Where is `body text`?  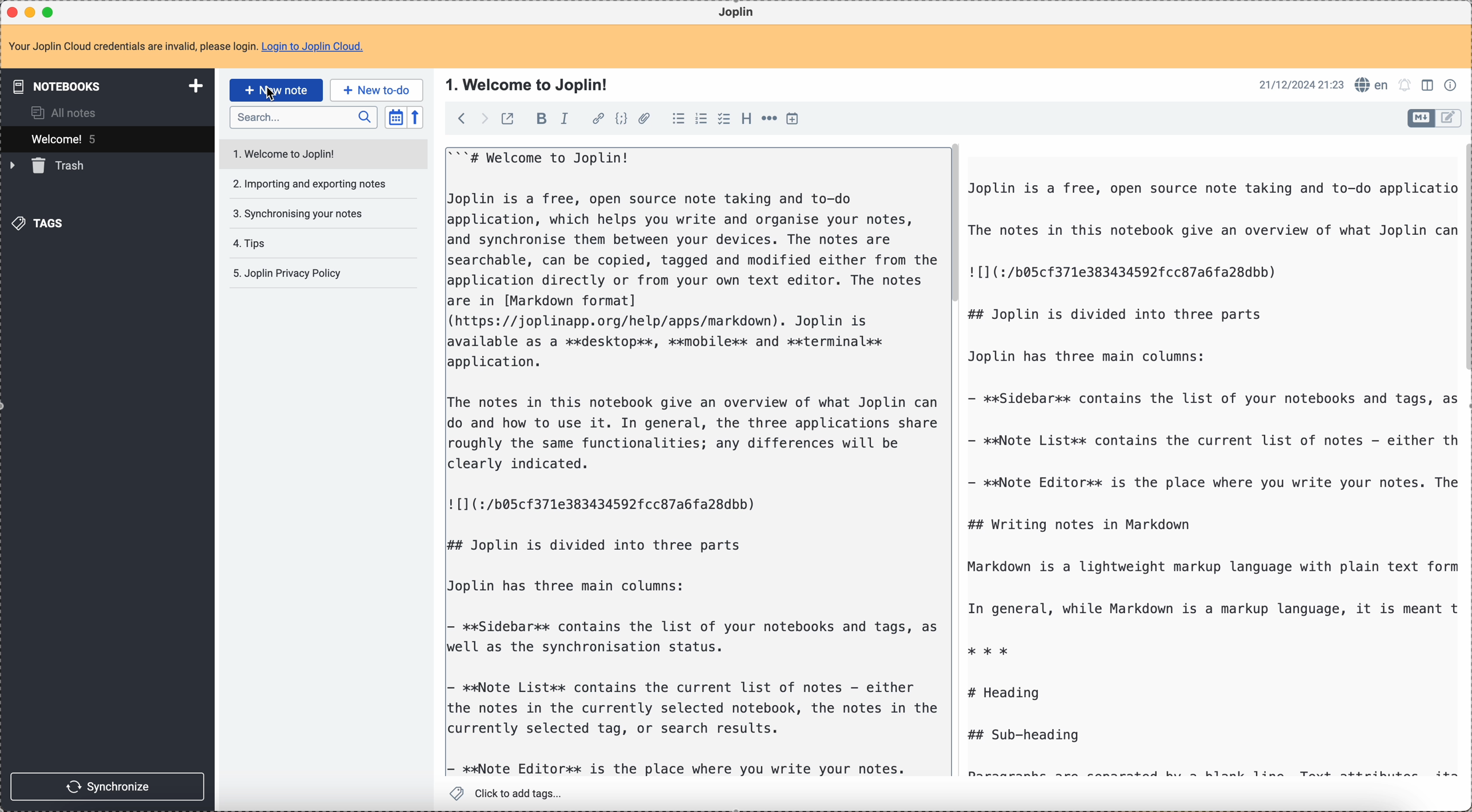 body text is located at coordinates (694, 461).